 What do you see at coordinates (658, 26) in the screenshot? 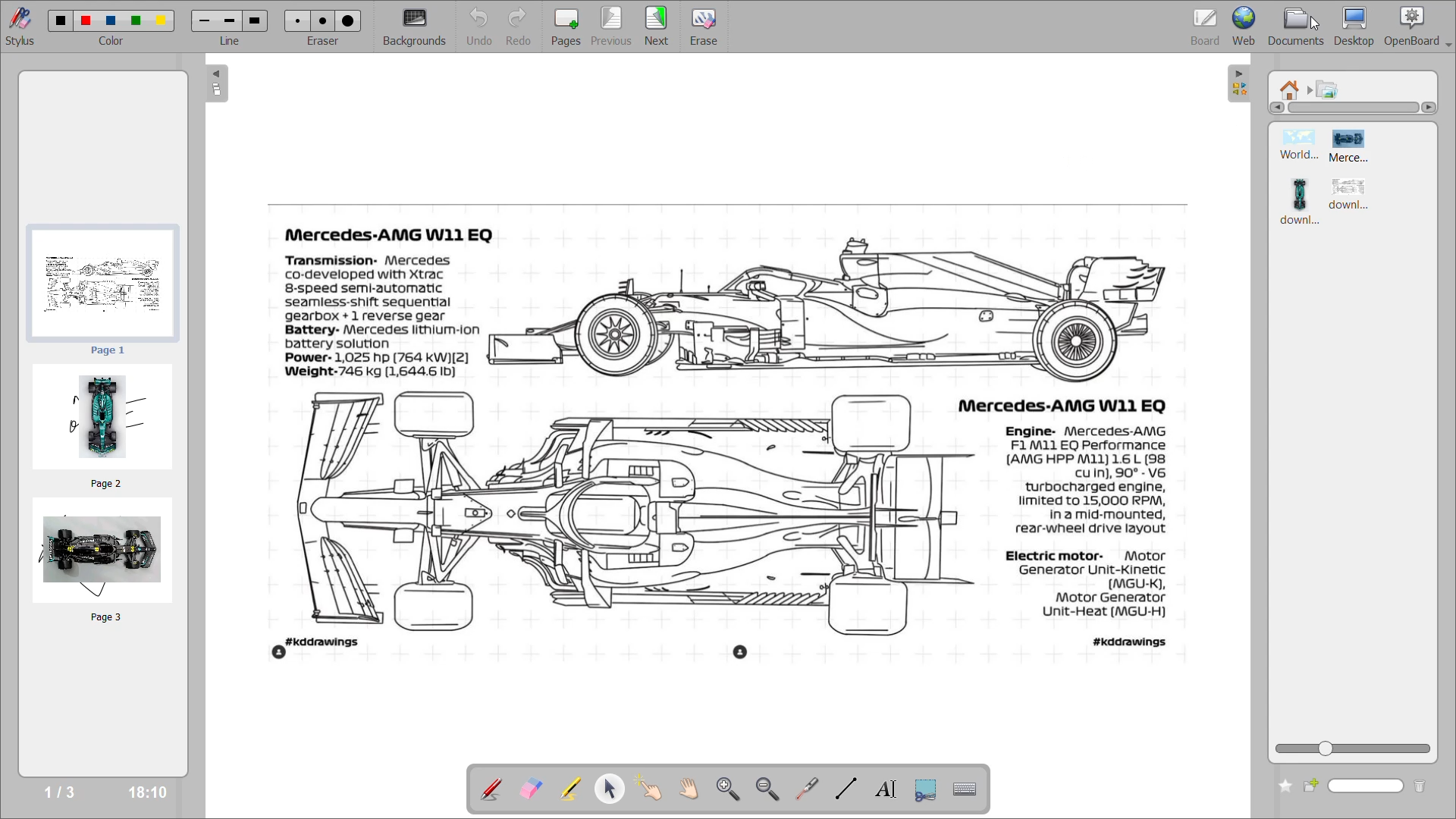
I see `next` at bounding box center [658, 26].